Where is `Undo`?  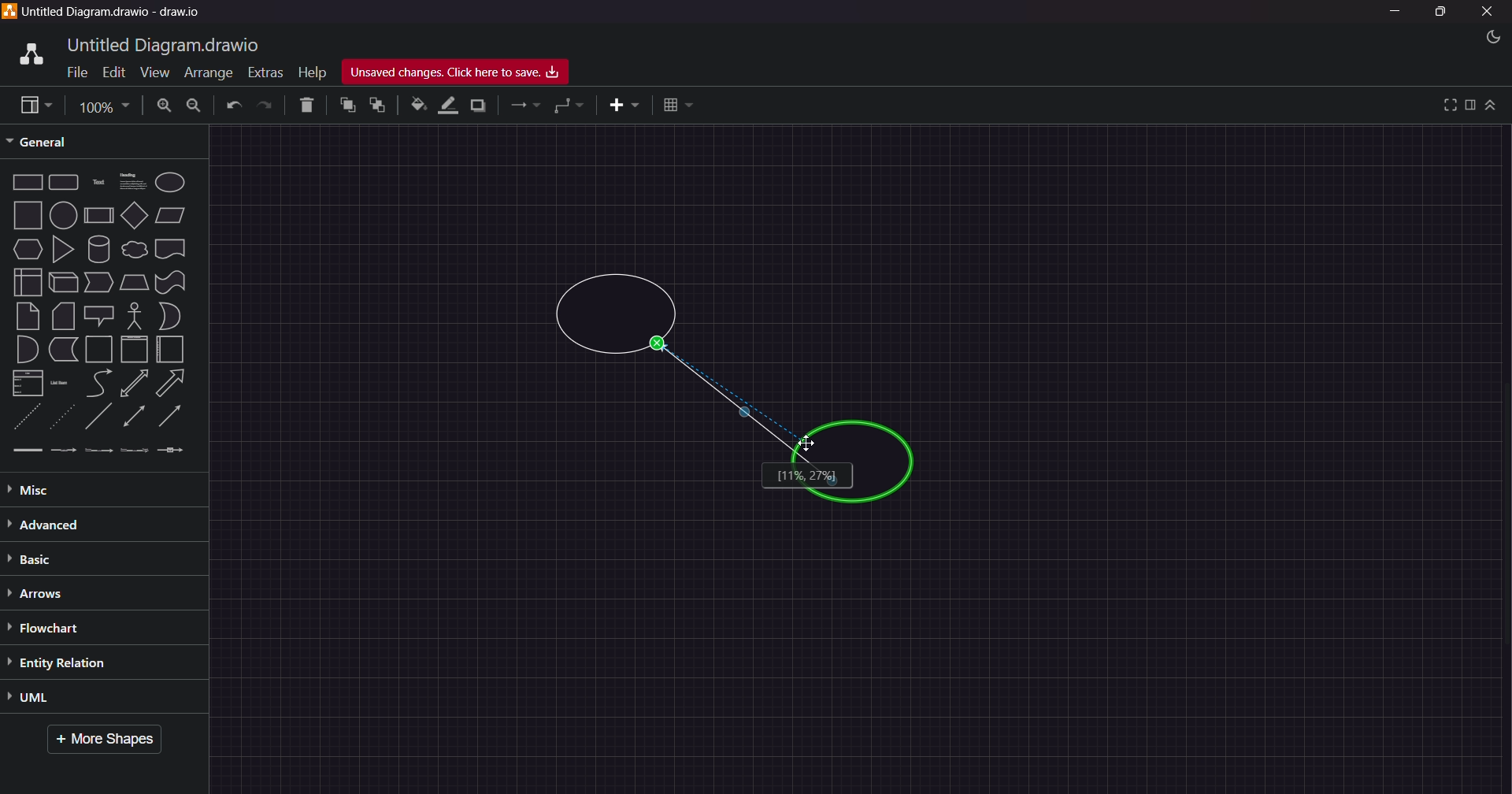 Undo is located at coordinates (233, 106).